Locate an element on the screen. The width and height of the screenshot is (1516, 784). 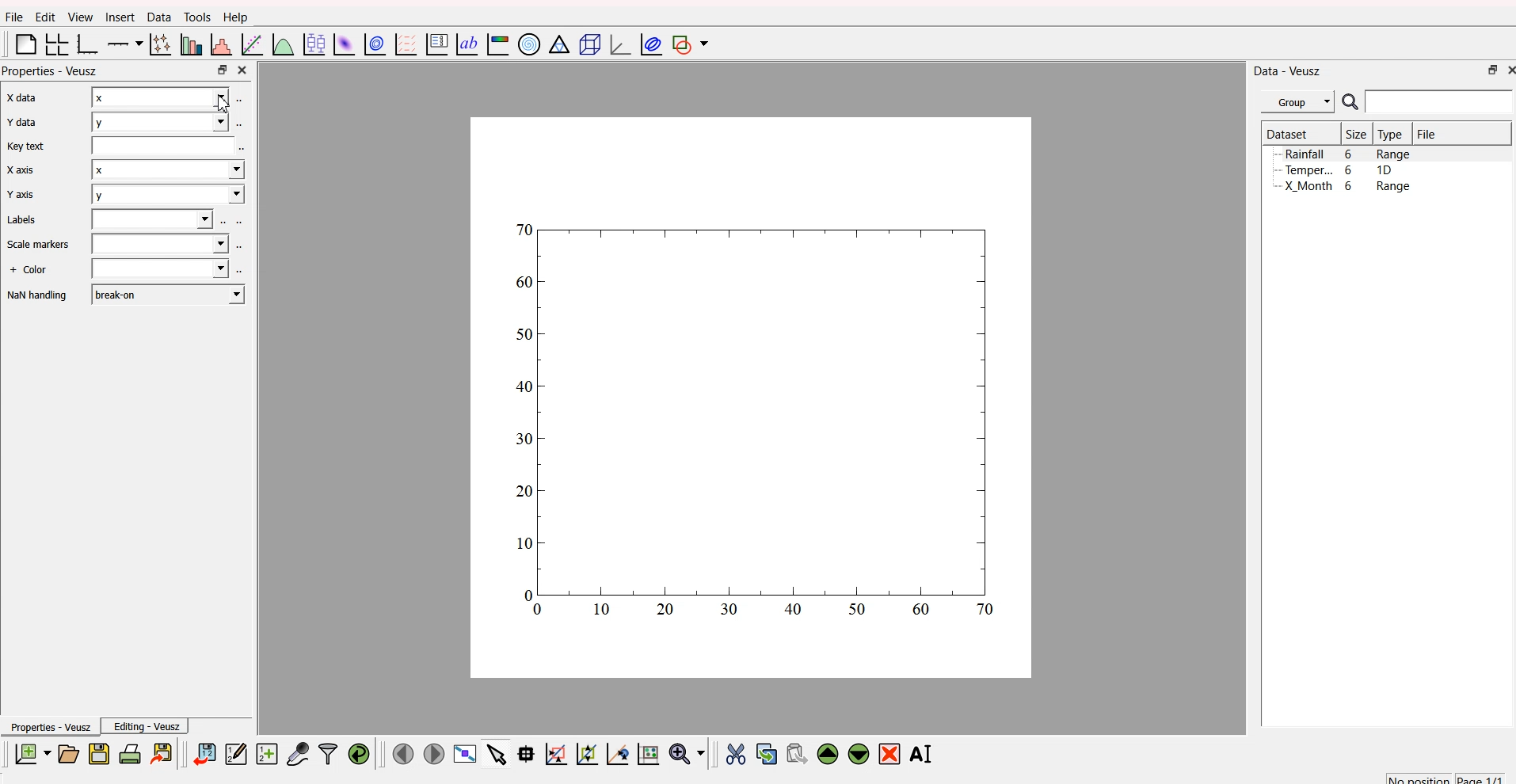
X axis is located at coordinates (22, 170).